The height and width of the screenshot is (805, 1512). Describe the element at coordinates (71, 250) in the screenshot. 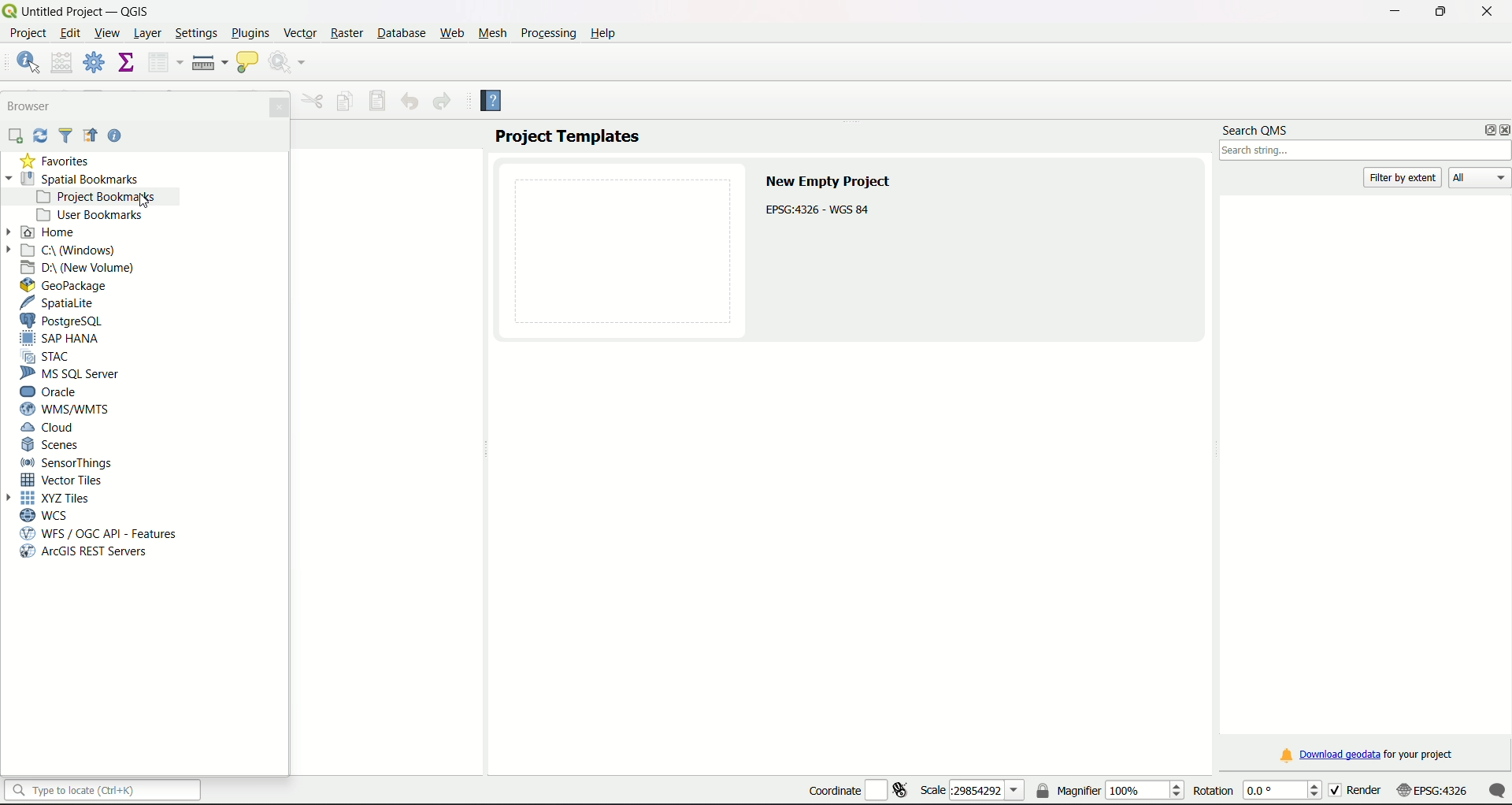

I see `C Drive  ` at that location.